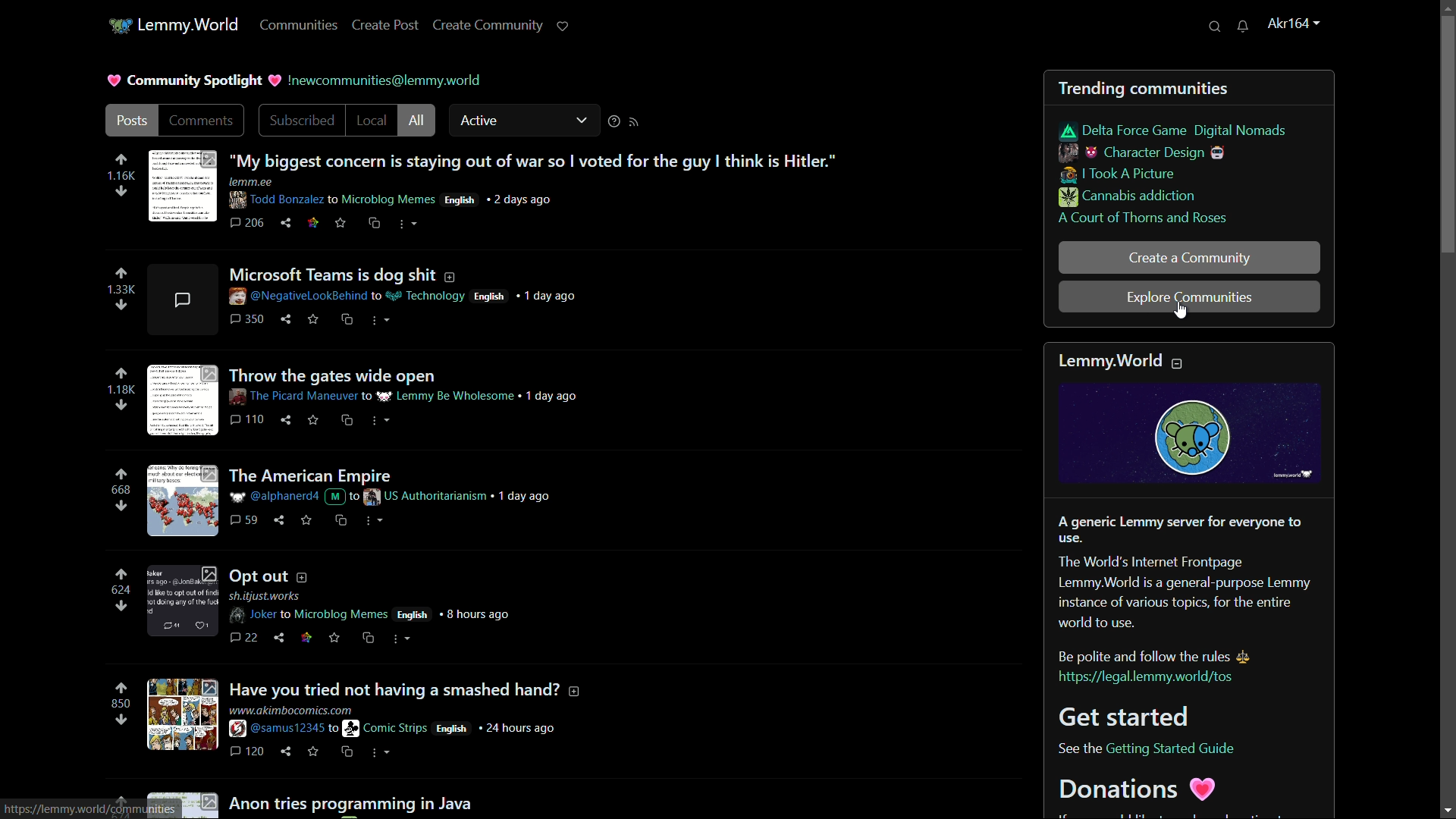 This screenshot has width=1456, height=819. What do you see at coordinates (193, 25) in the screenshot?
I see `lemmy world` at bounding box center [193, 25].